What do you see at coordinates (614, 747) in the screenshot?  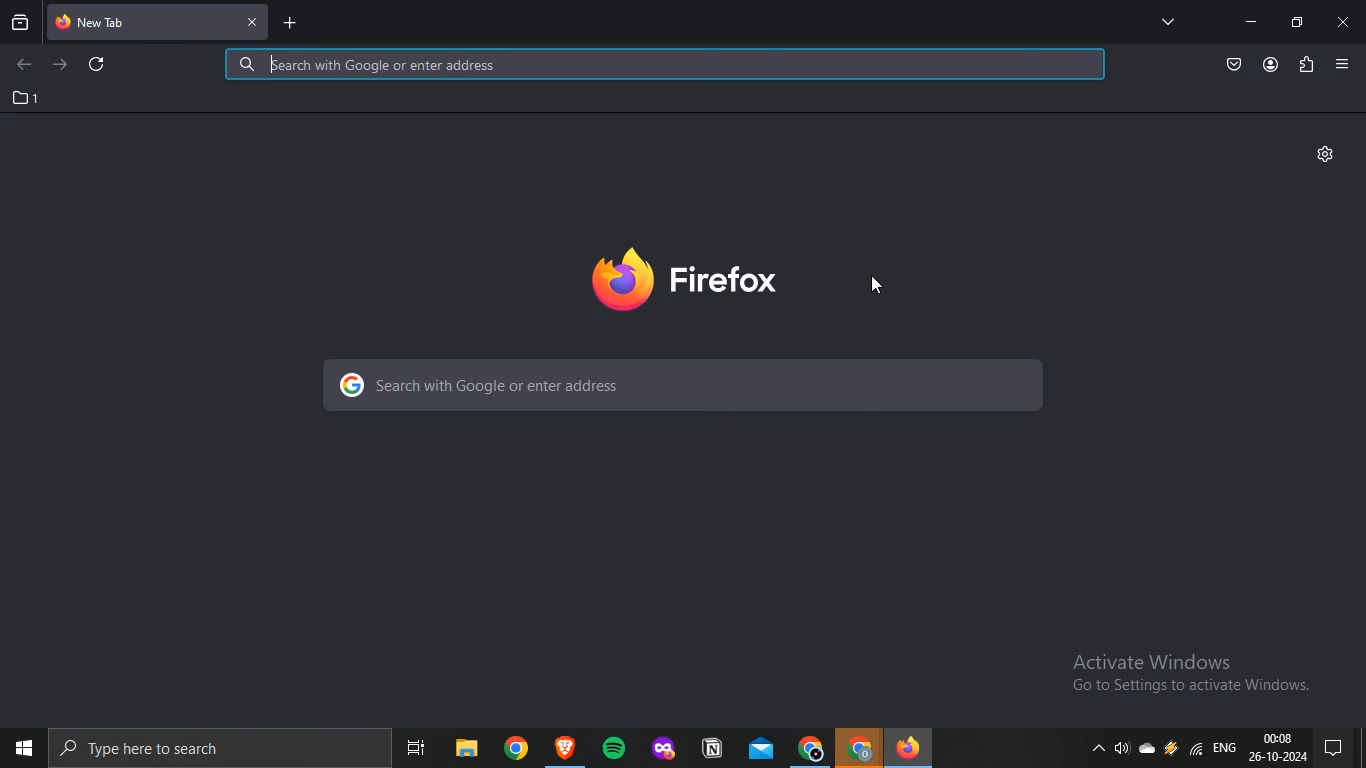 I see `spotify` at bounding box center [614, 747].